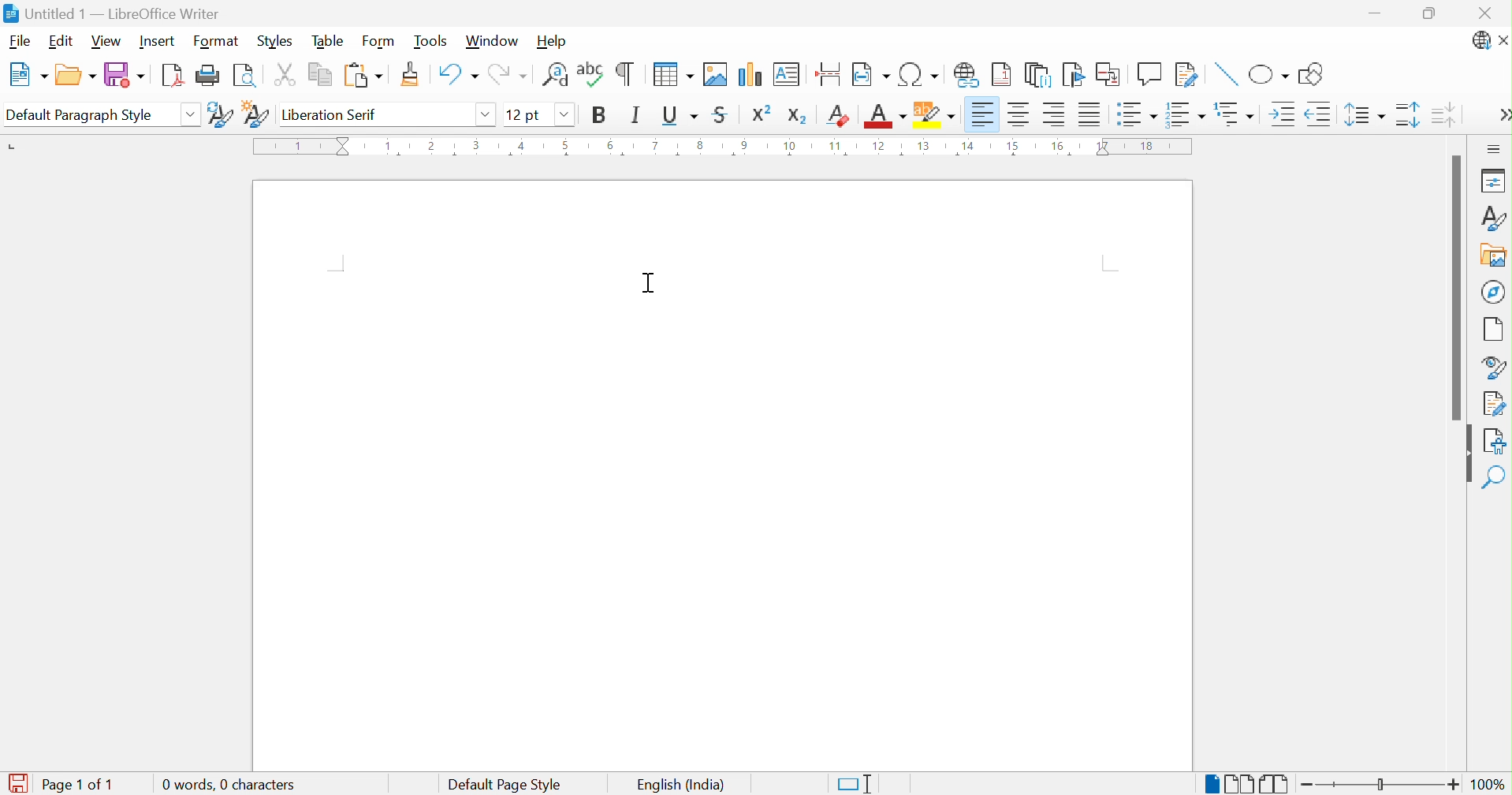  Describe the element at coordinates (220, 114) in the screenshot. I see `Update selected style` at that location.